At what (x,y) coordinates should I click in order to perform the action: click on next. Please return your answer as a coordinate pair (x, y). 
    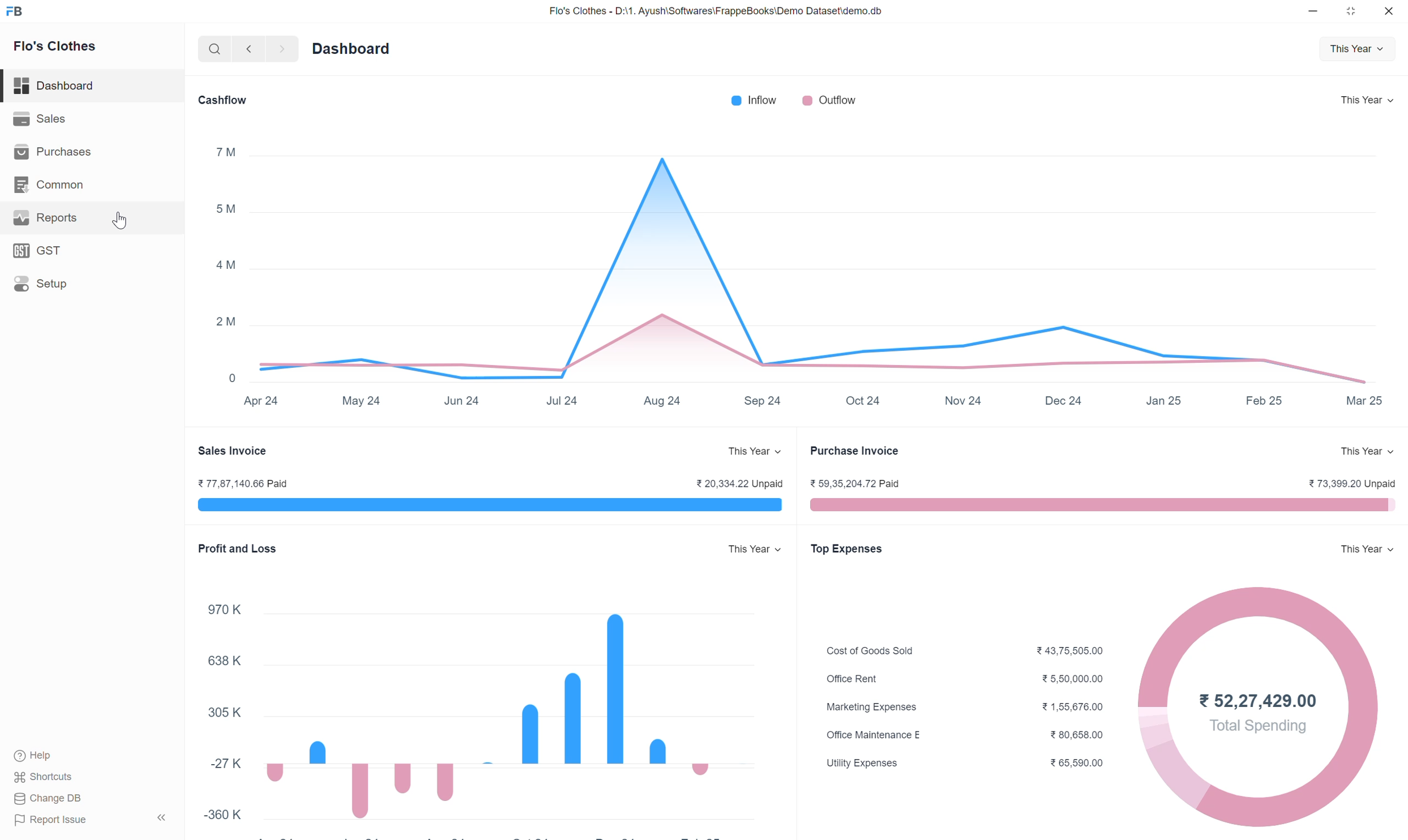
    Looking at the image, I should click on (286, 49).